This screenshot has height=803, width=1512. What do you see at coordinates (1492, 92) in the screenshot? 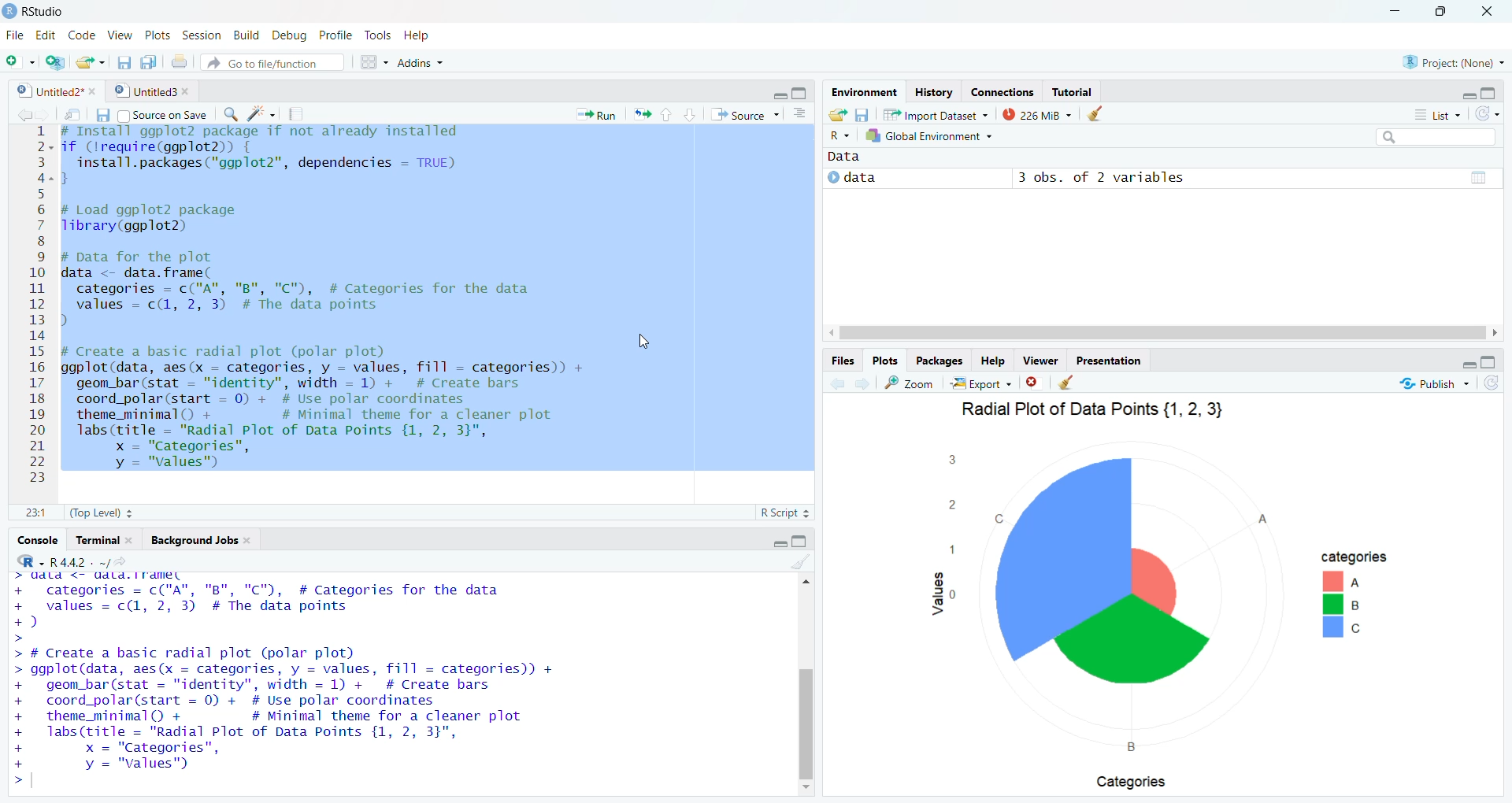
I see `Maximize` at bounding box center [1492, 92].